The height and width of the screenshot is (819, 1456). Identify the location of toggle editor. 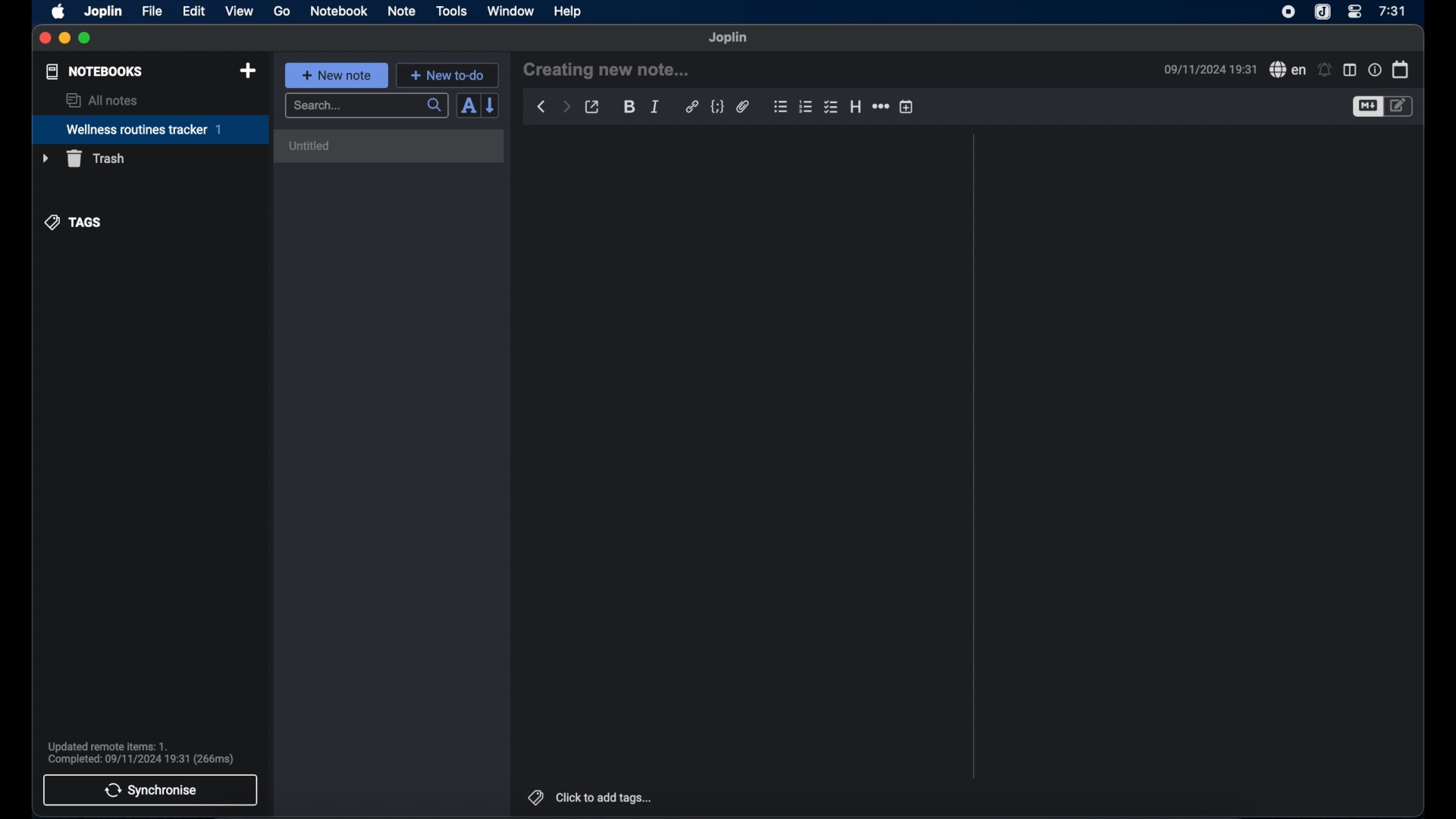
(1401, 107).